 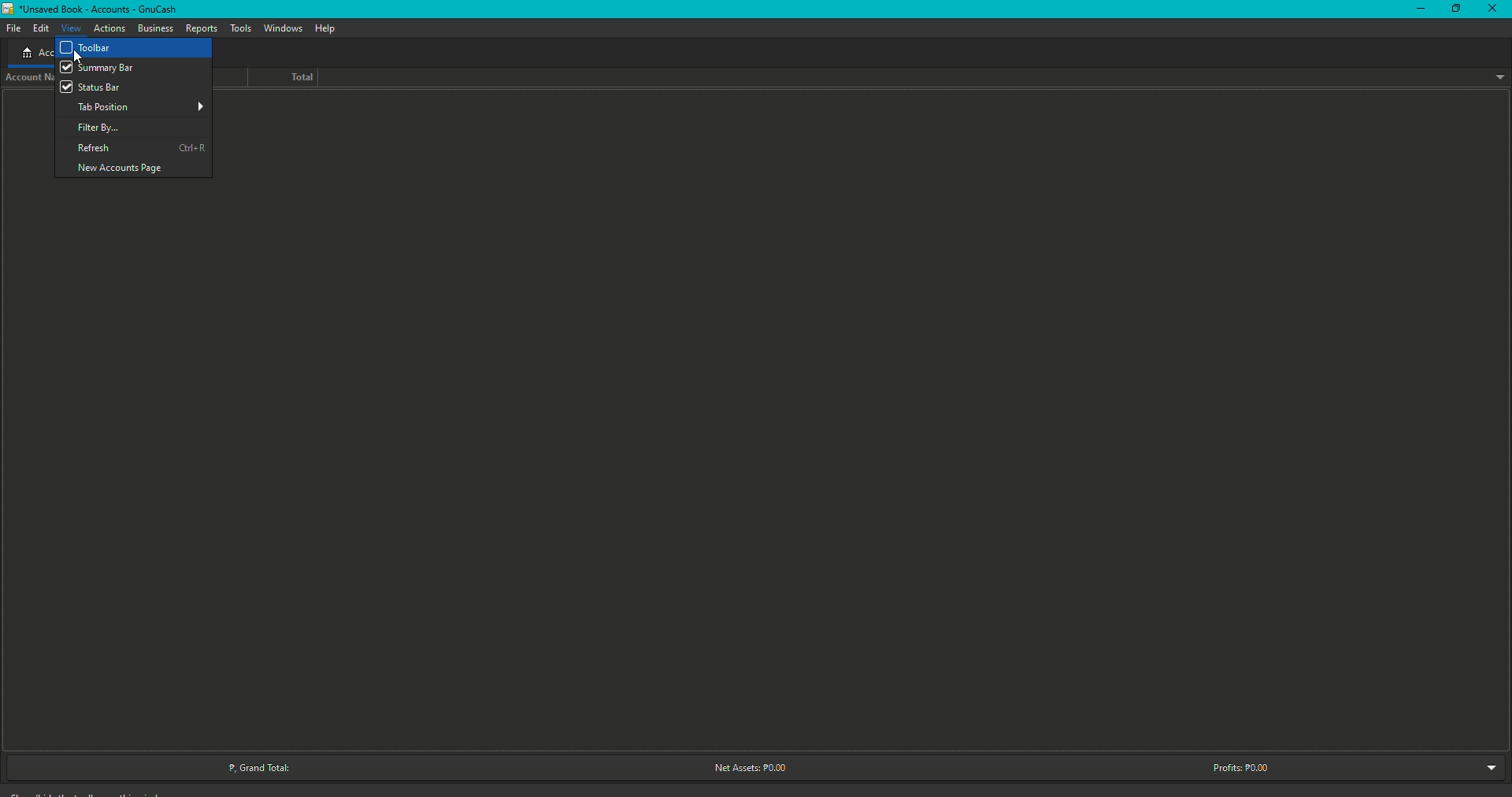 I want to click on Refresh, so click(x=96, y=148).